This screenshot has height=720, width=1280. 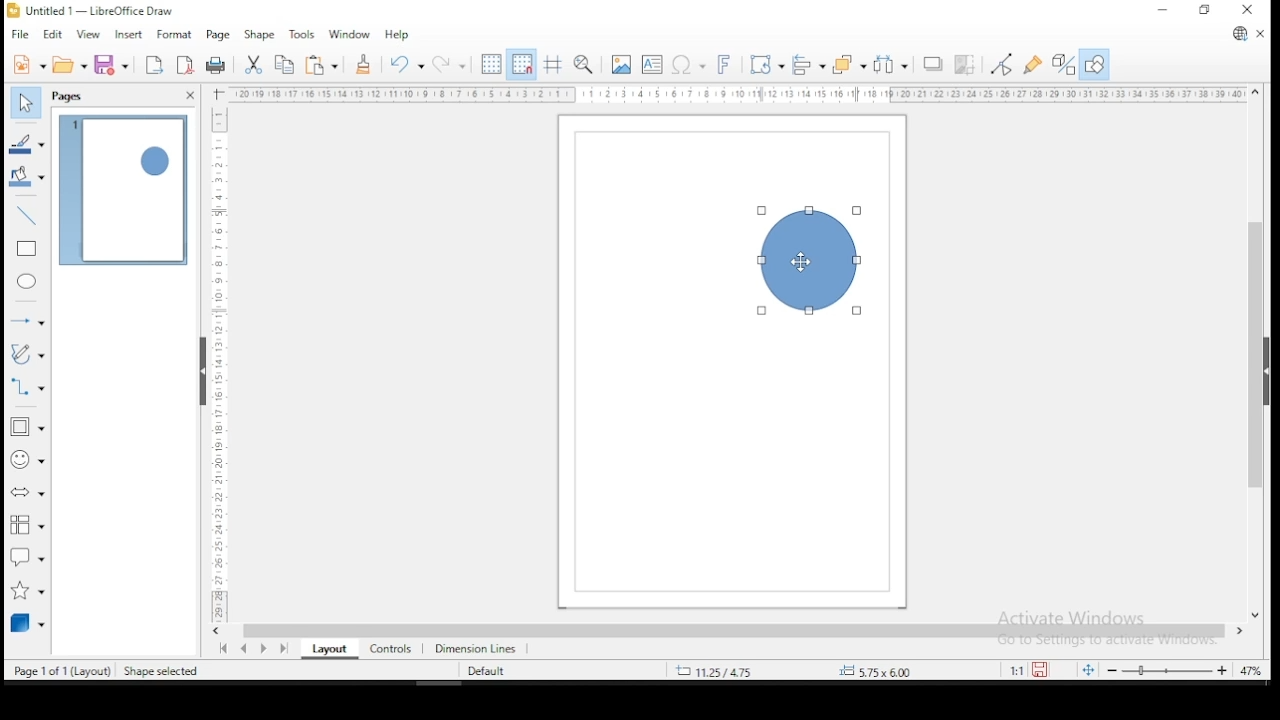 I want to click on export, so click(x=152, y=65).